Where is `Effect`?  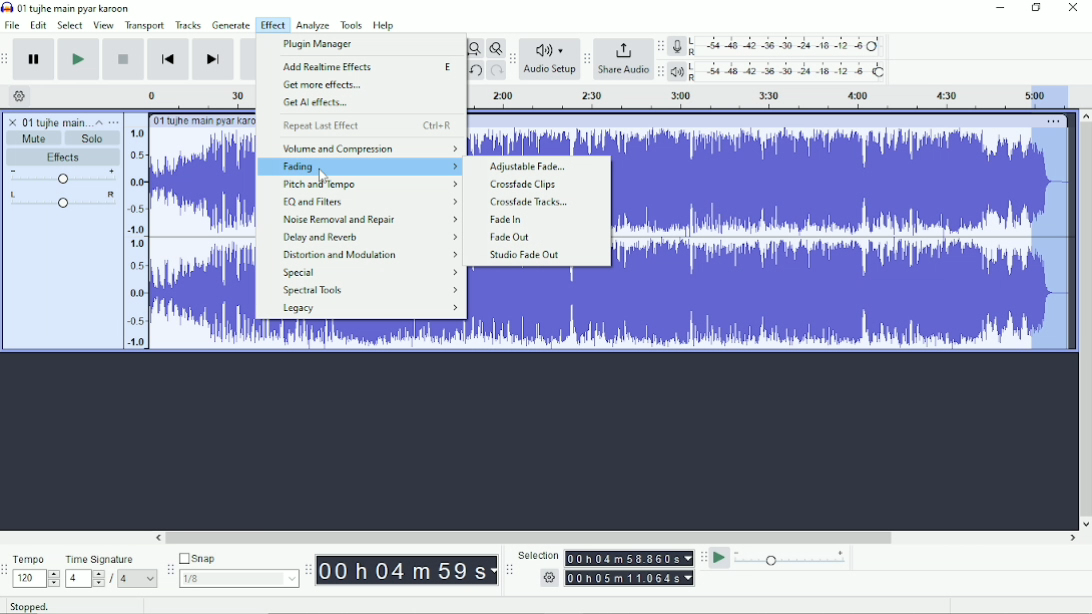
Effect is located at coordinates (274, 25).